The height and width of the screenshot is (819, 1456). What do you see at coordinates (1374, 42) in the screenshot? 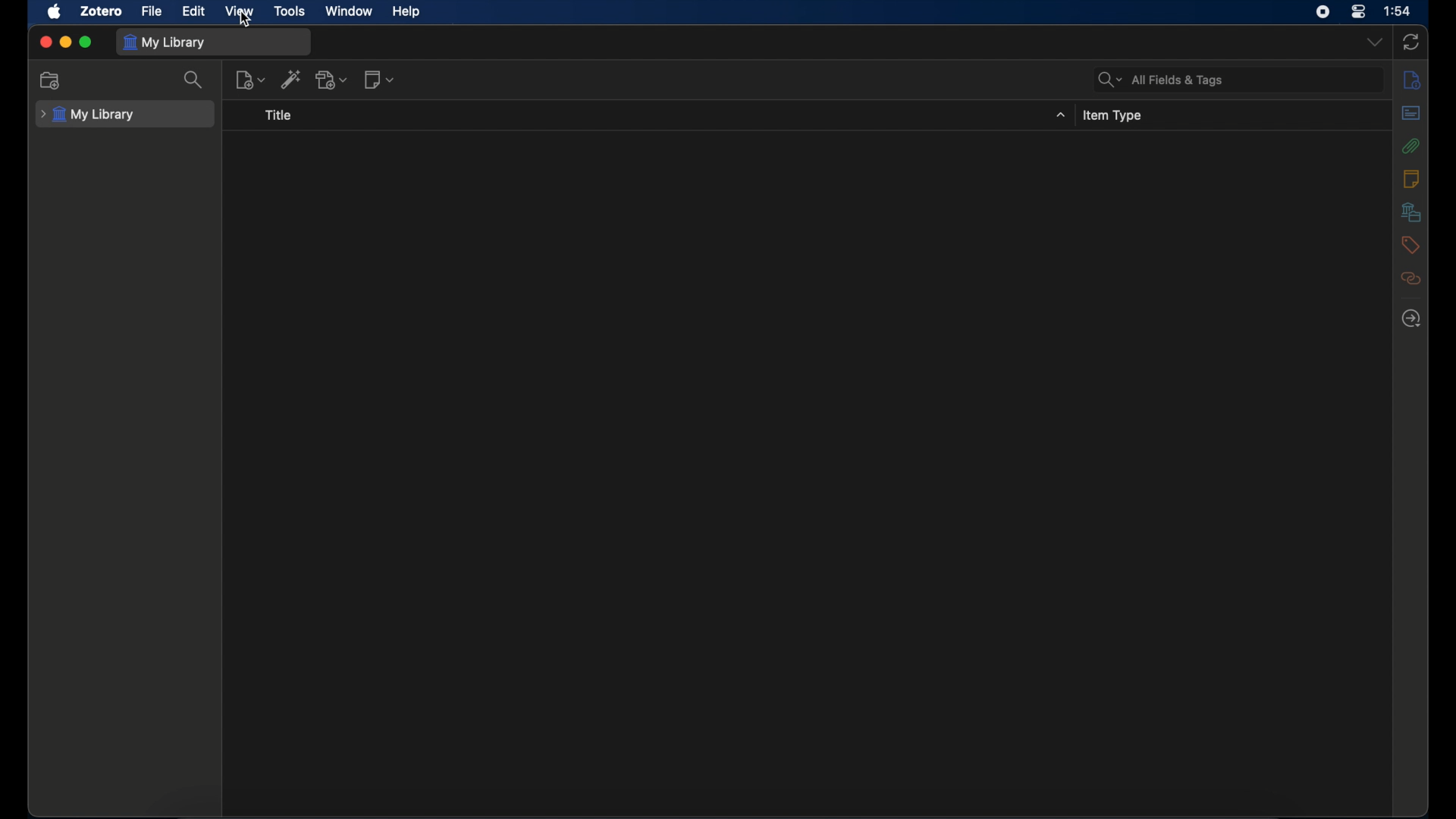
I see `dropdown` at bounding box center [1374, 42].